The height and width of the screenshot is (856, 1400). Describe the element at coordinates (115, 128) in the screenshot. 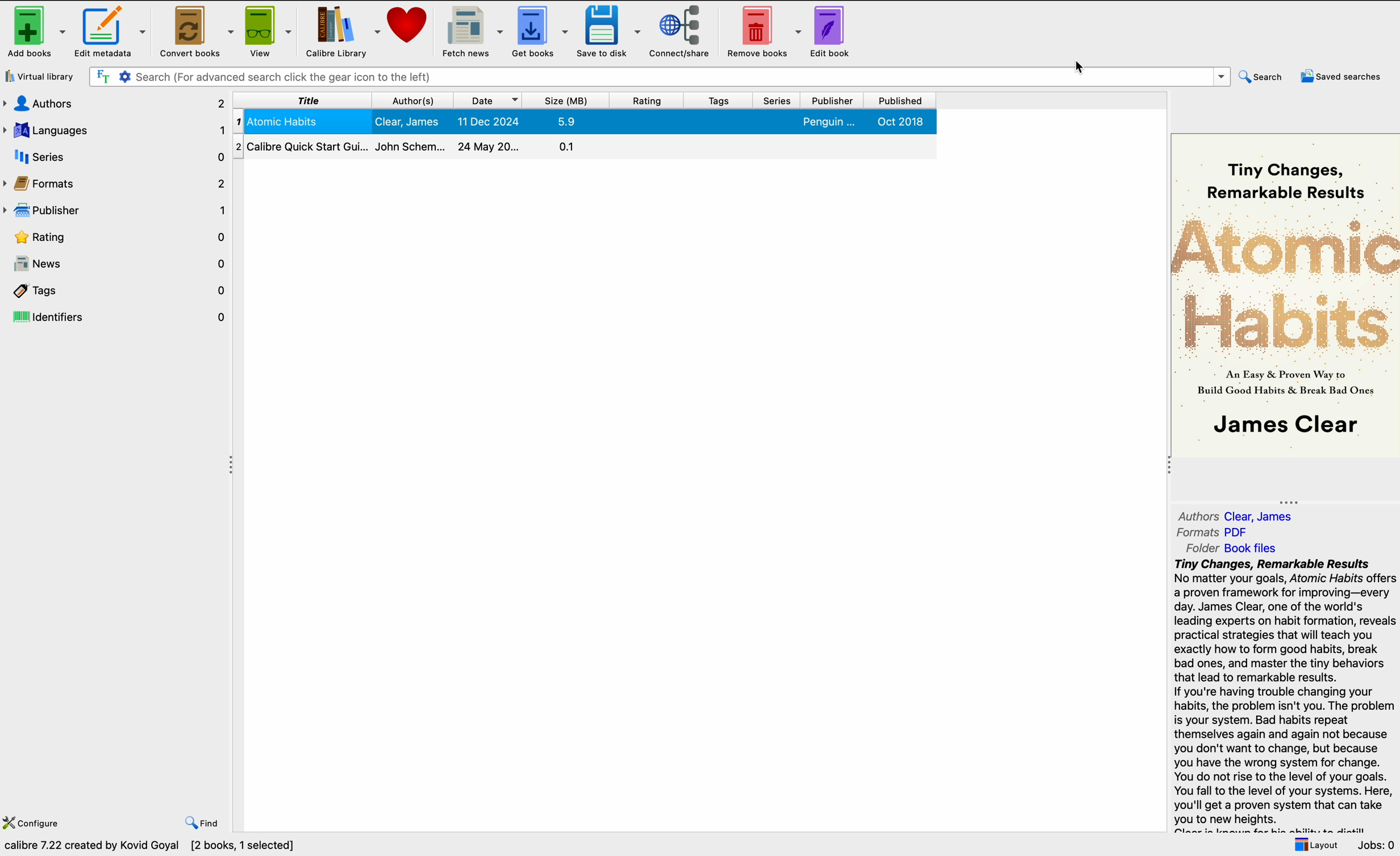

I see `languages` at that location.